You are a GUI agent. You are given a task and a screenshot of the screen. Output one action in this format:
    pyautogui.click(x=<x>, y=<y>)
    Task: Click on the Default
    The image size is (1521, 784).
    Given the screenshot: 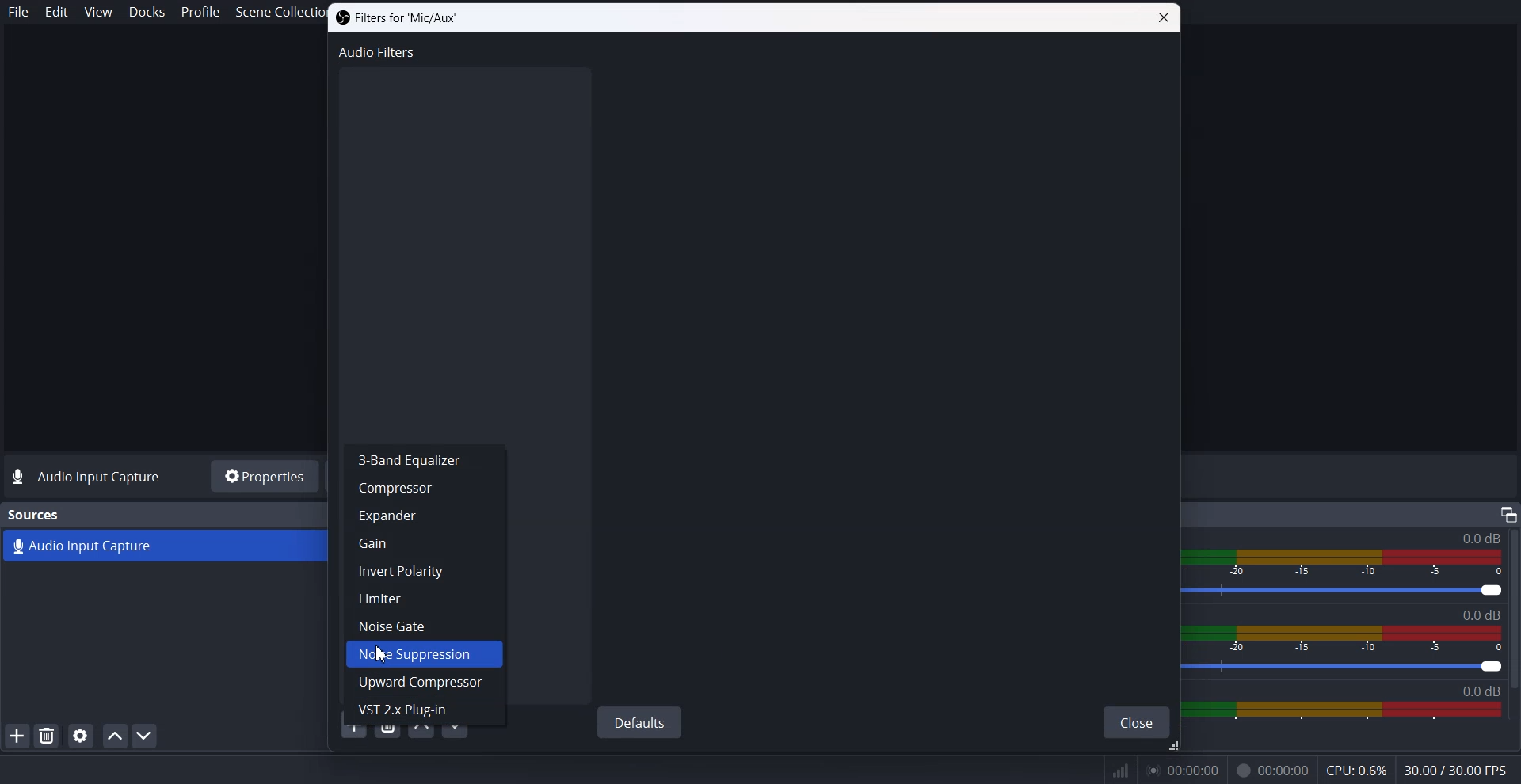 What is the action you would take?
    pyautogui.click(x=639, y=721)
    